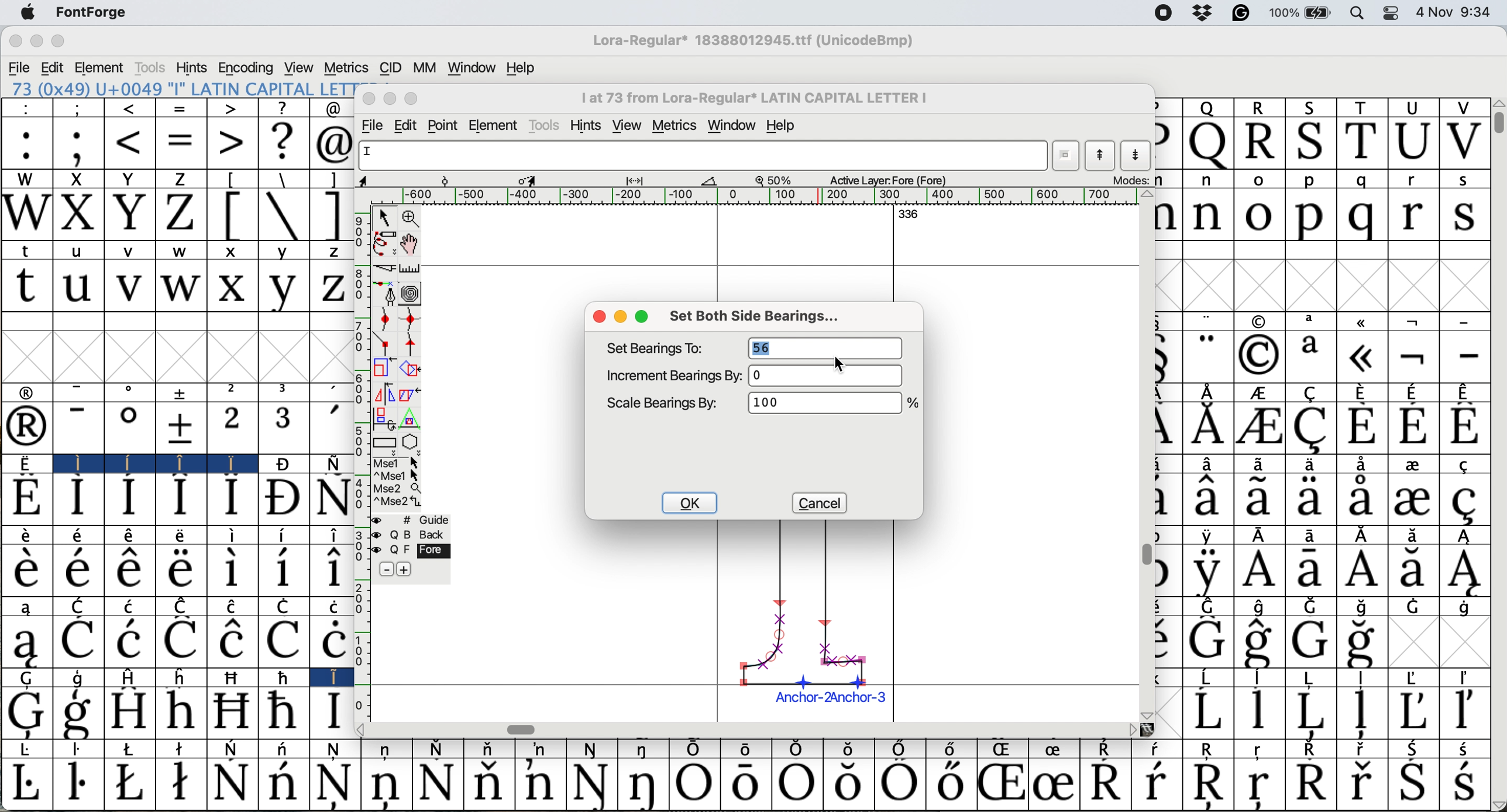 The height and width of the screenshot is (812, 1507). I want to click on Symbol, so click(231, 711).